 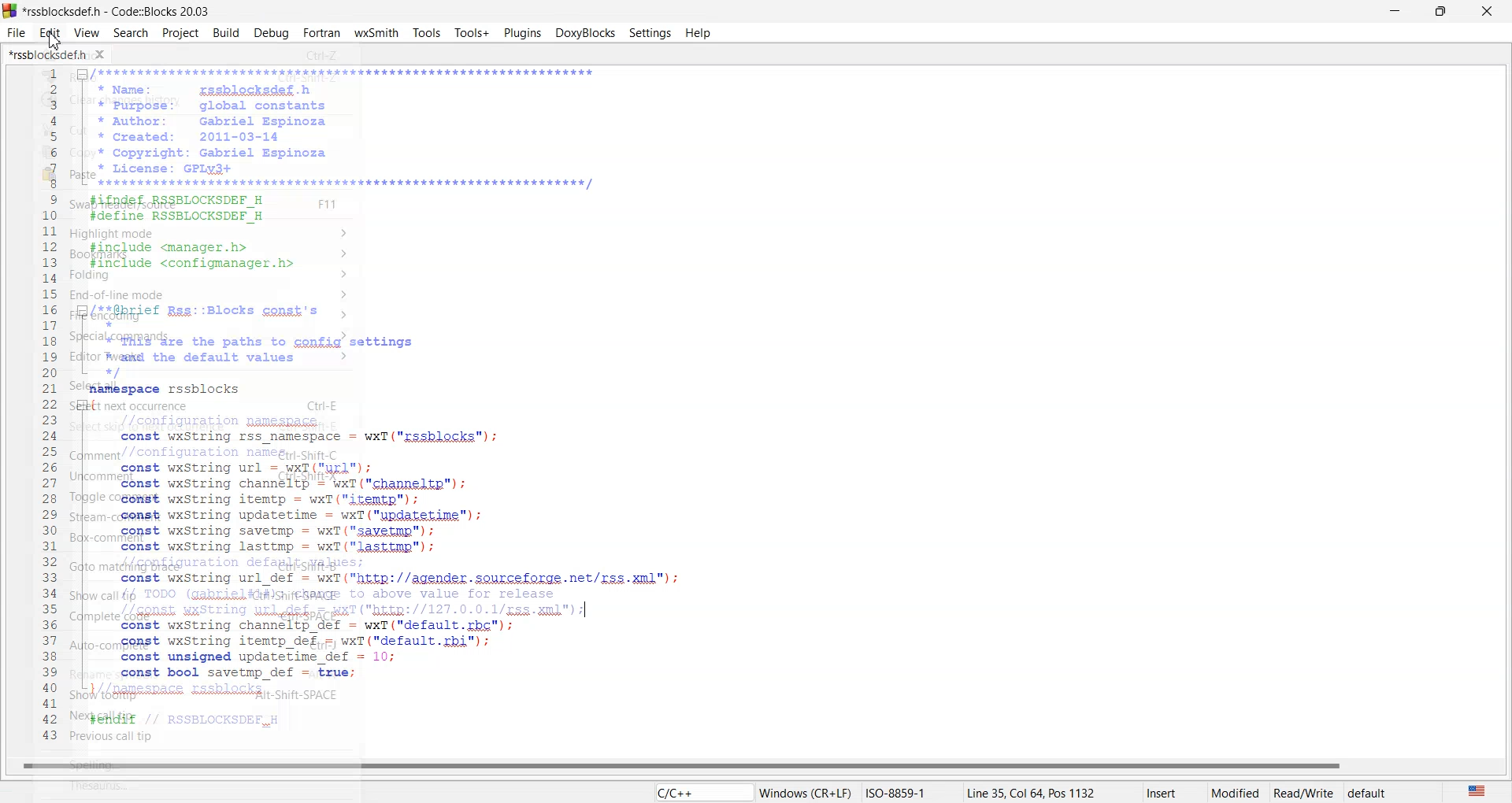 I want to click on Line number, so click(x=52, y=407).